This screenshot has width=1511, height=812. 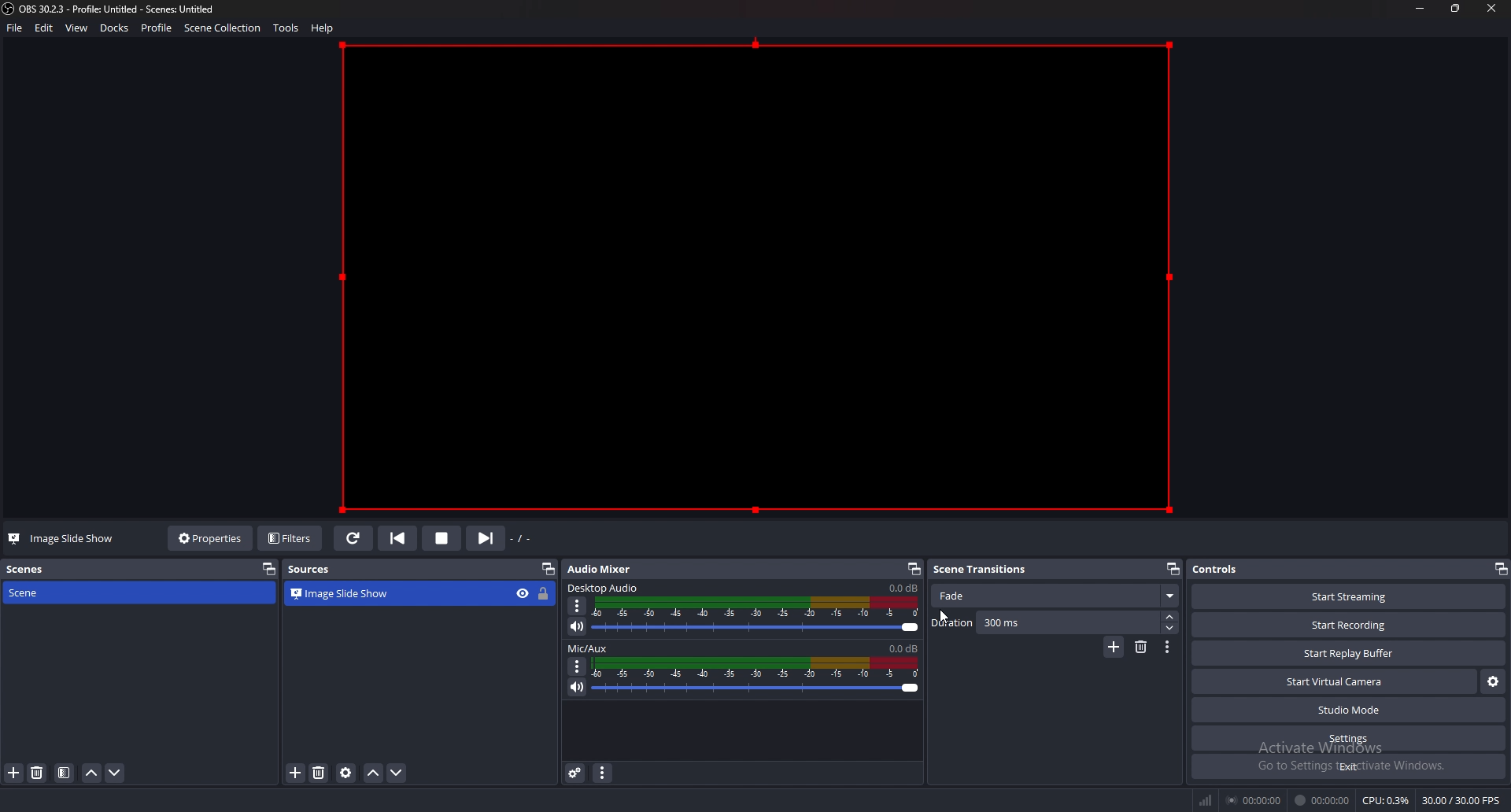 What do you see at coordinates (399, 537) in the screenshot?
I see `previous` at bounding box center [399, 537].